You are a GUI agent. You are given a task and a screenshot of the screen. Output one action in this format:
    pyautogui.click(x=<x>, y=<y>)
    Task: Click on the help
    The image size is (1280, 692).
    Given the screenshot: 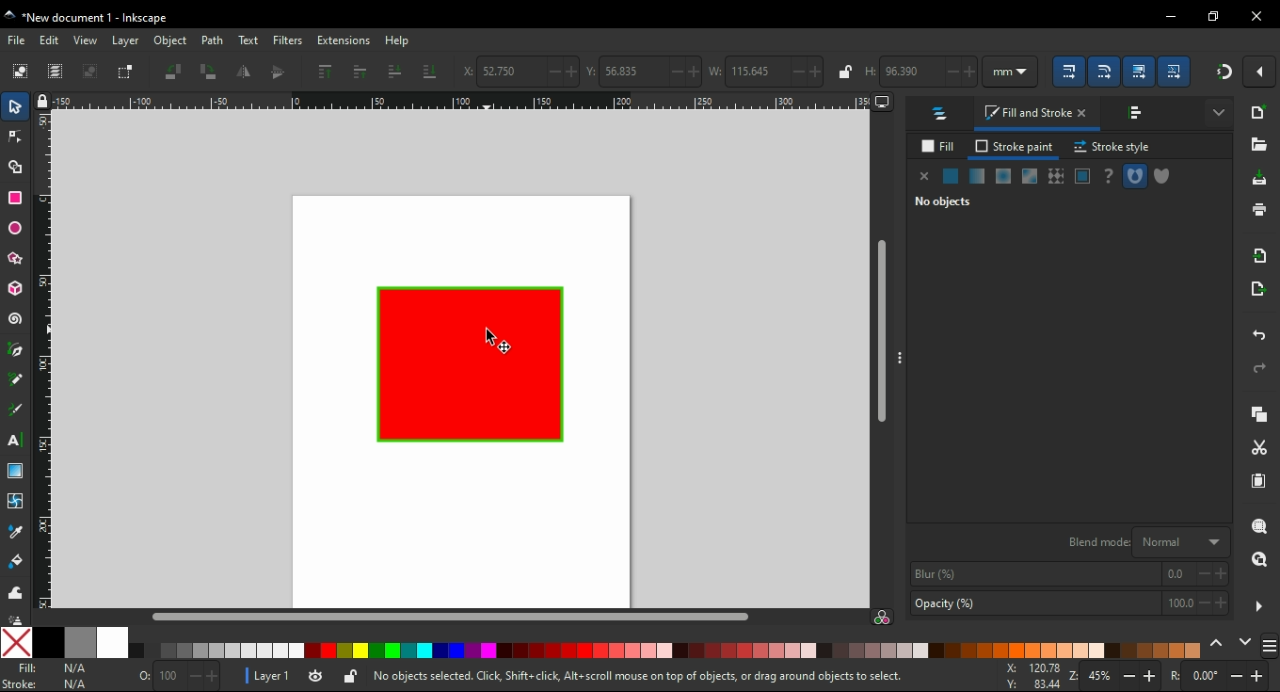 What is the action you would take?
    pyautogui.click(x=397, y=42)
    